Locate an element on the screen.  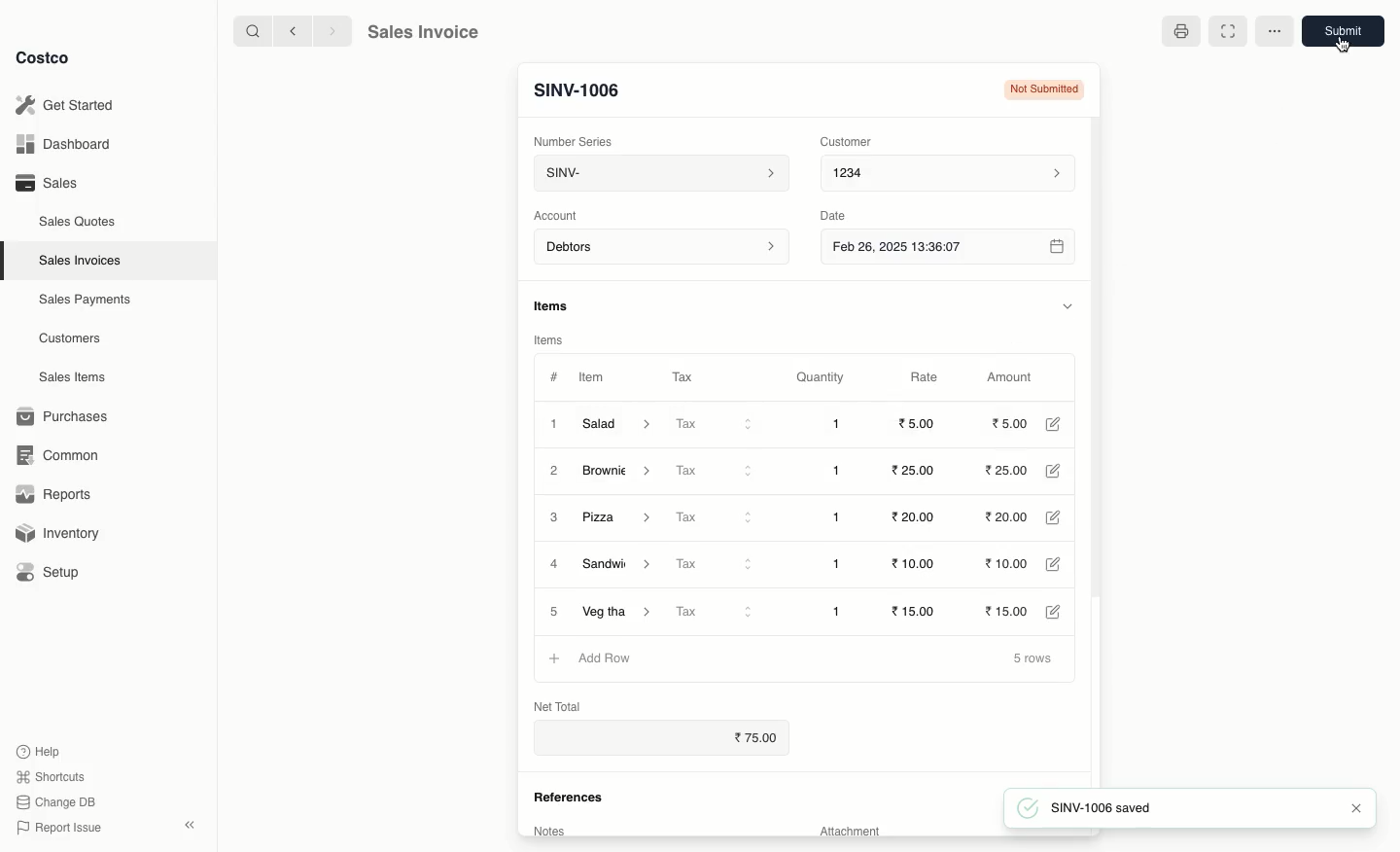
1234 is located at coordinates (946, 174).